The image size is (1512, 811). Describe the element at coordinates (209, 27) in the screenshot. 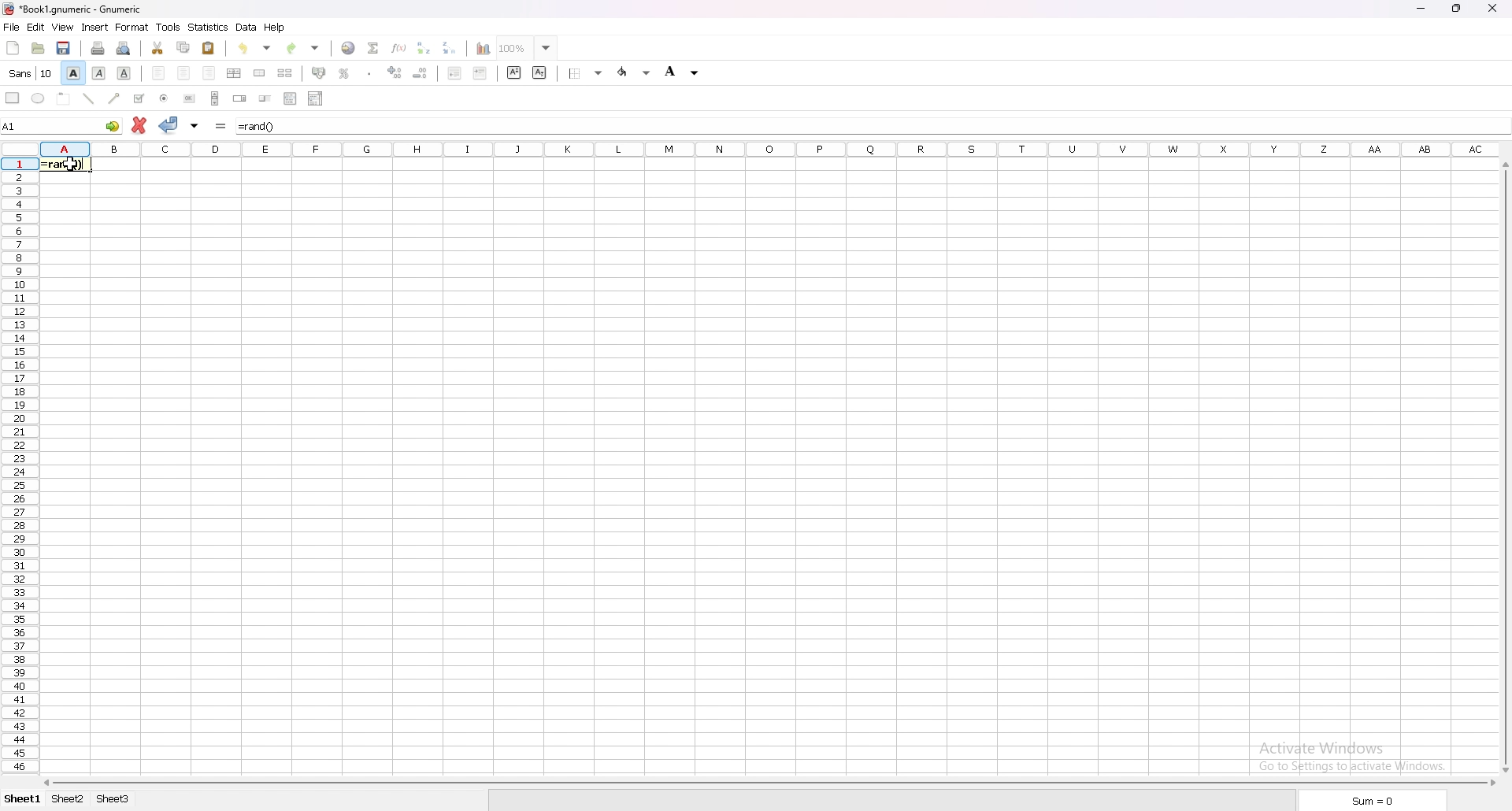

I see `statistics` at that location.